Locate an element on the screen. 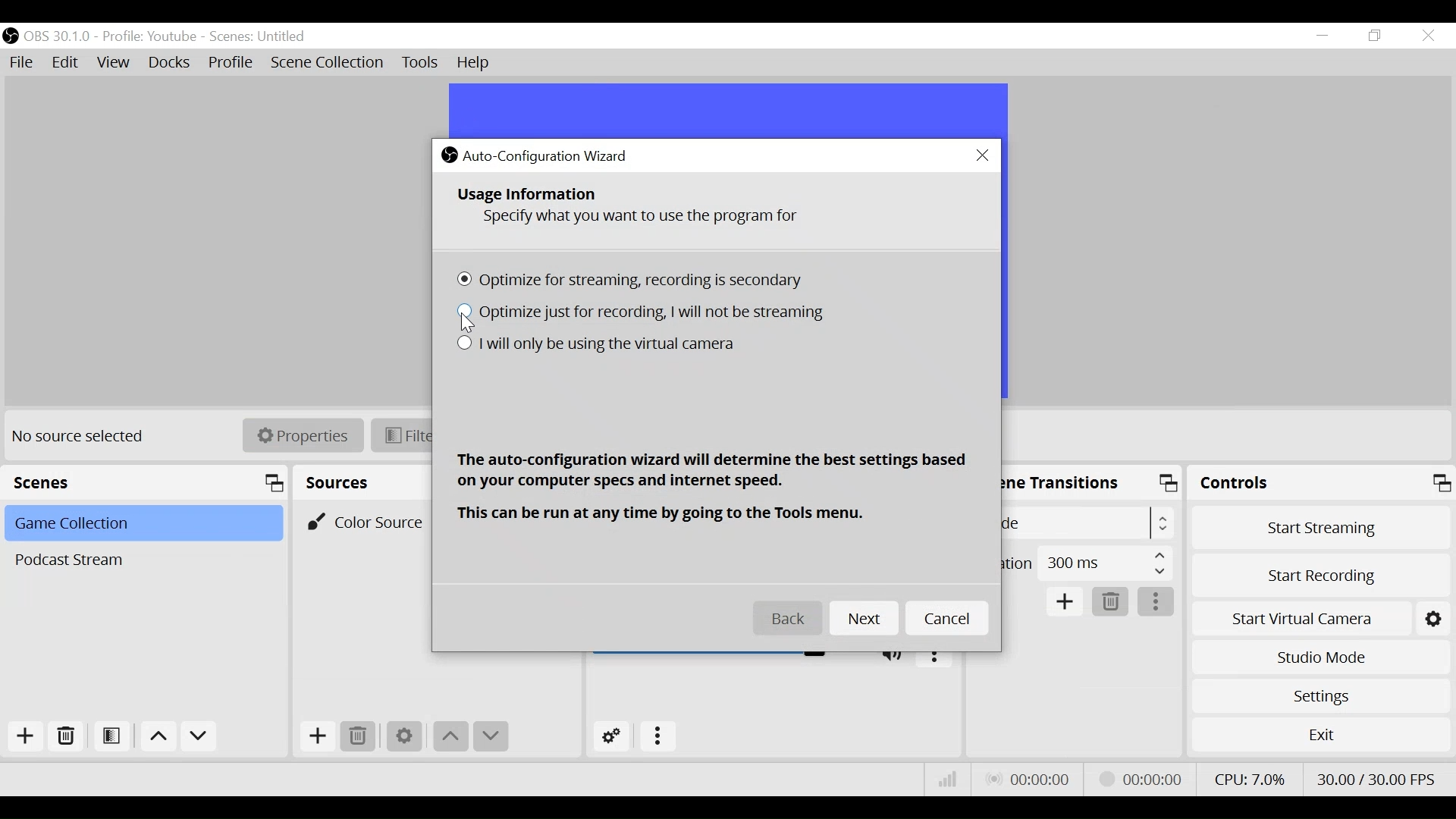  Close is located at coordinates (1429, 36).